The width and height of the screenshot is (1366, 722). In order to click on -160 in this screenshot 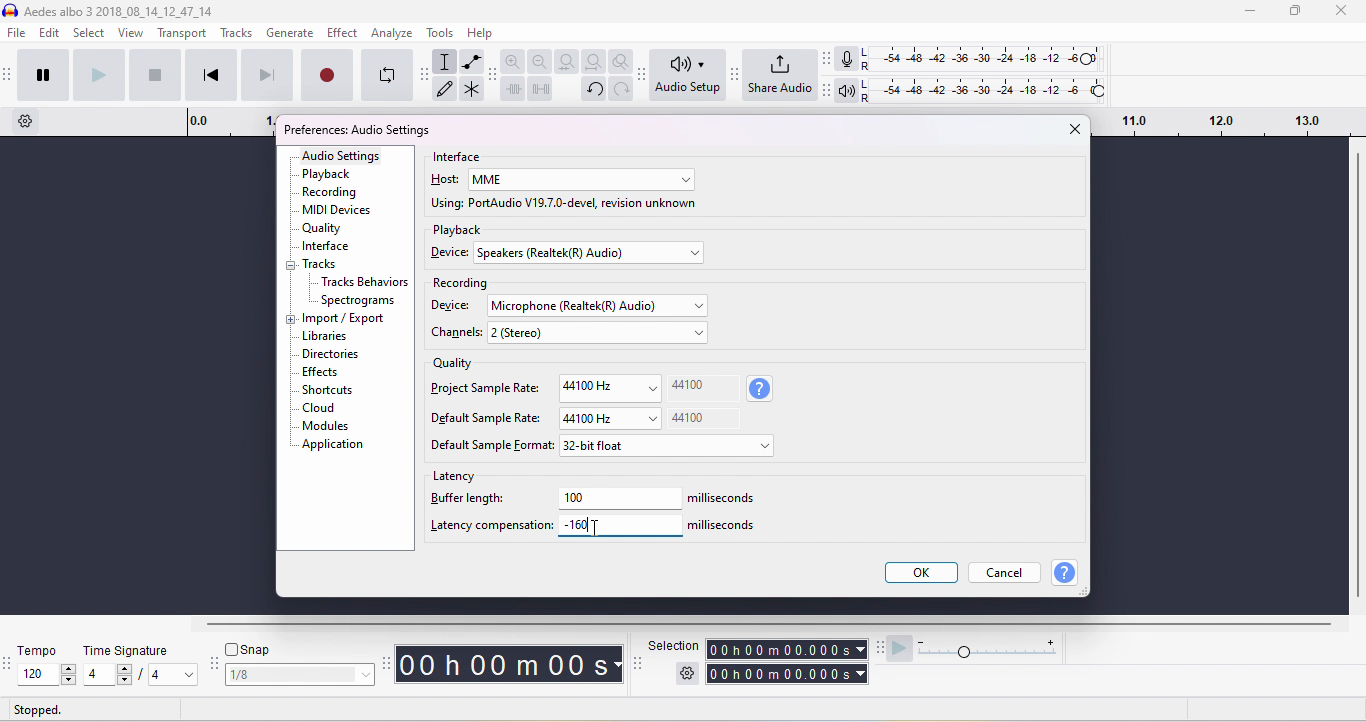, I will do `click(575, 522)`.